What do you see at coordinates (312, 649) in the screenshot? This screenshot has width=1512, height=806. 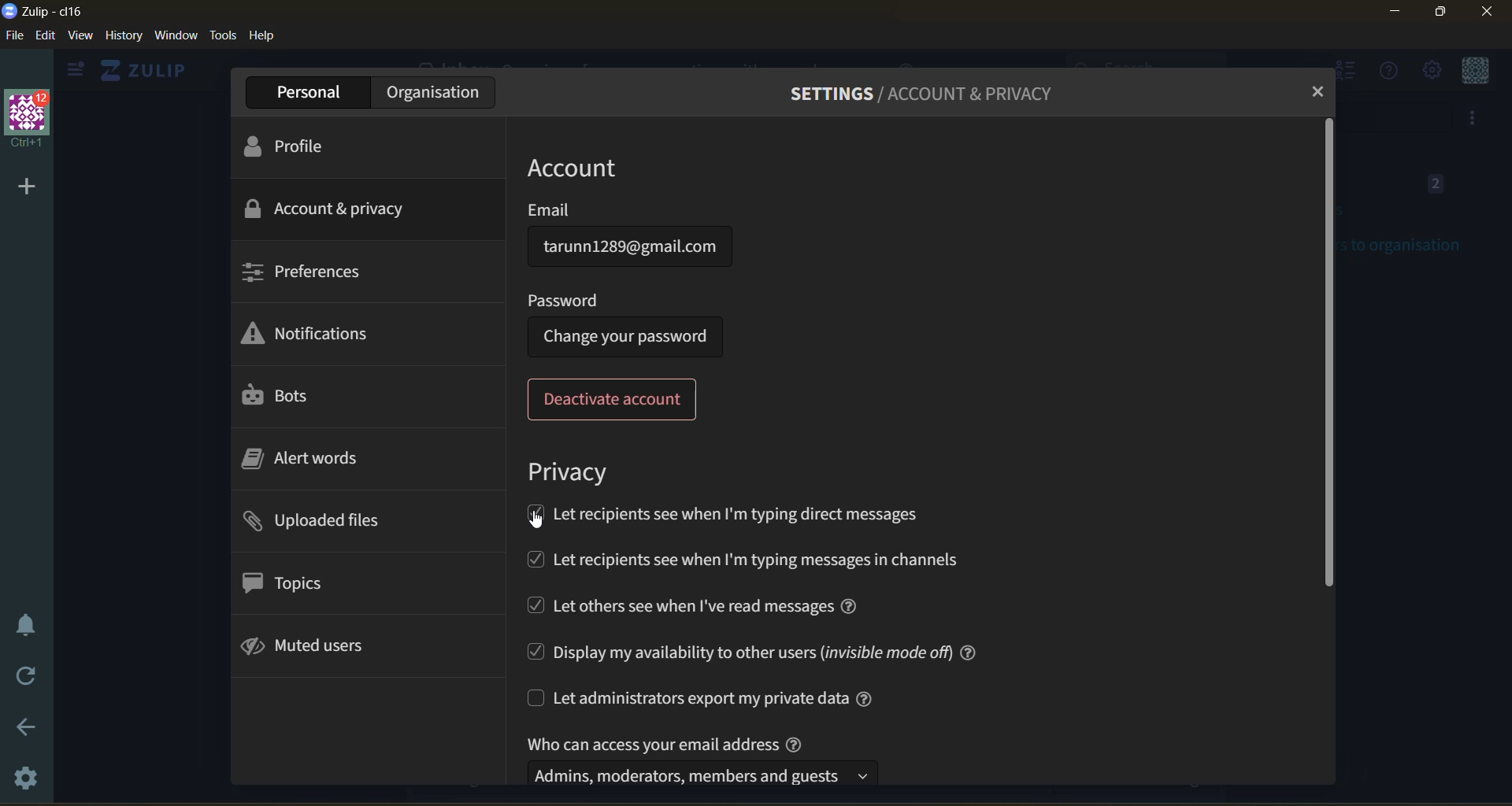 I see `muted users` at bounding box center [312, 649].